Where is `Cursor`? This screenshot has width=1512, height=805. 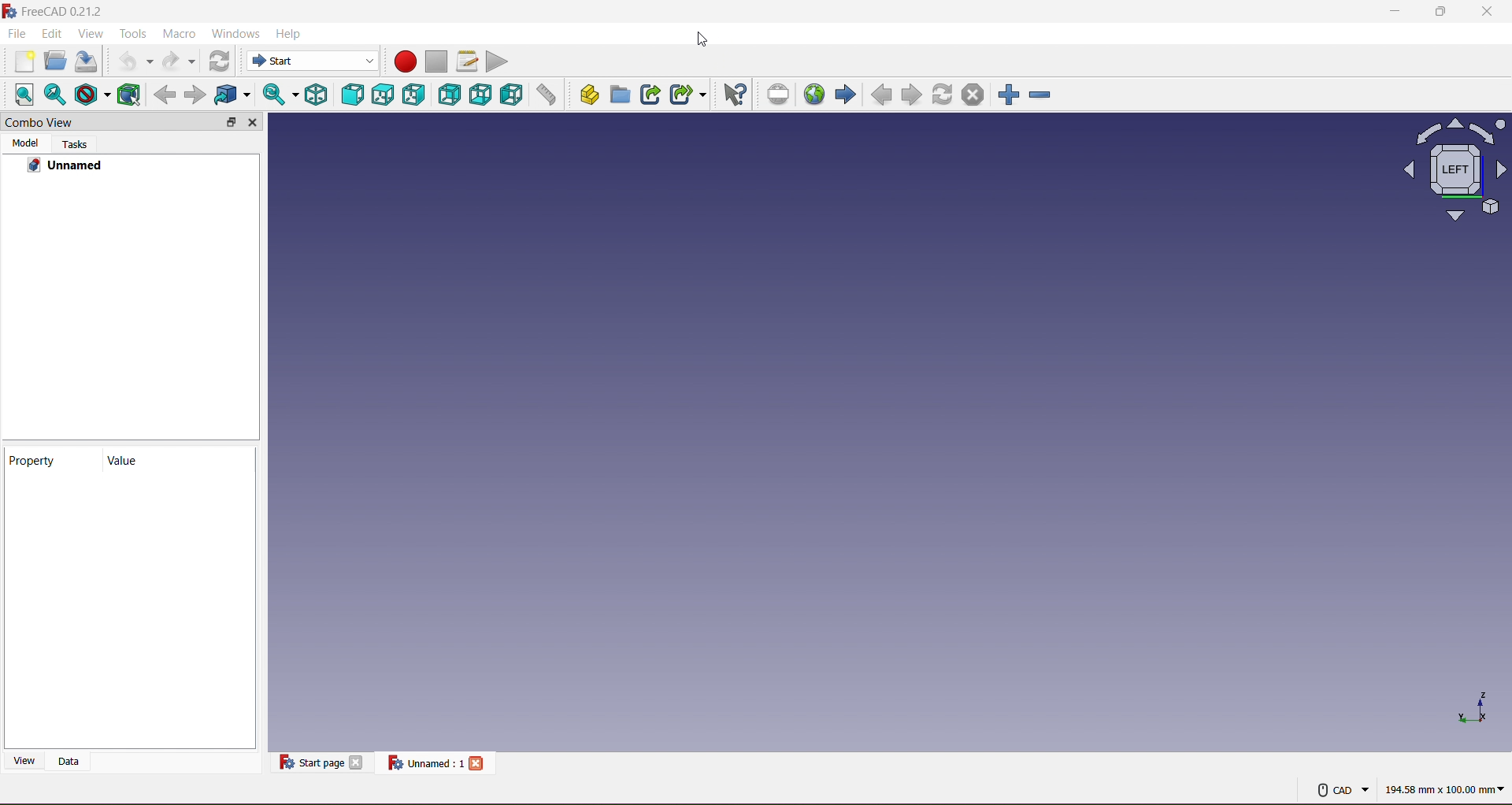
Cursor is located at coordinates (704, 40).